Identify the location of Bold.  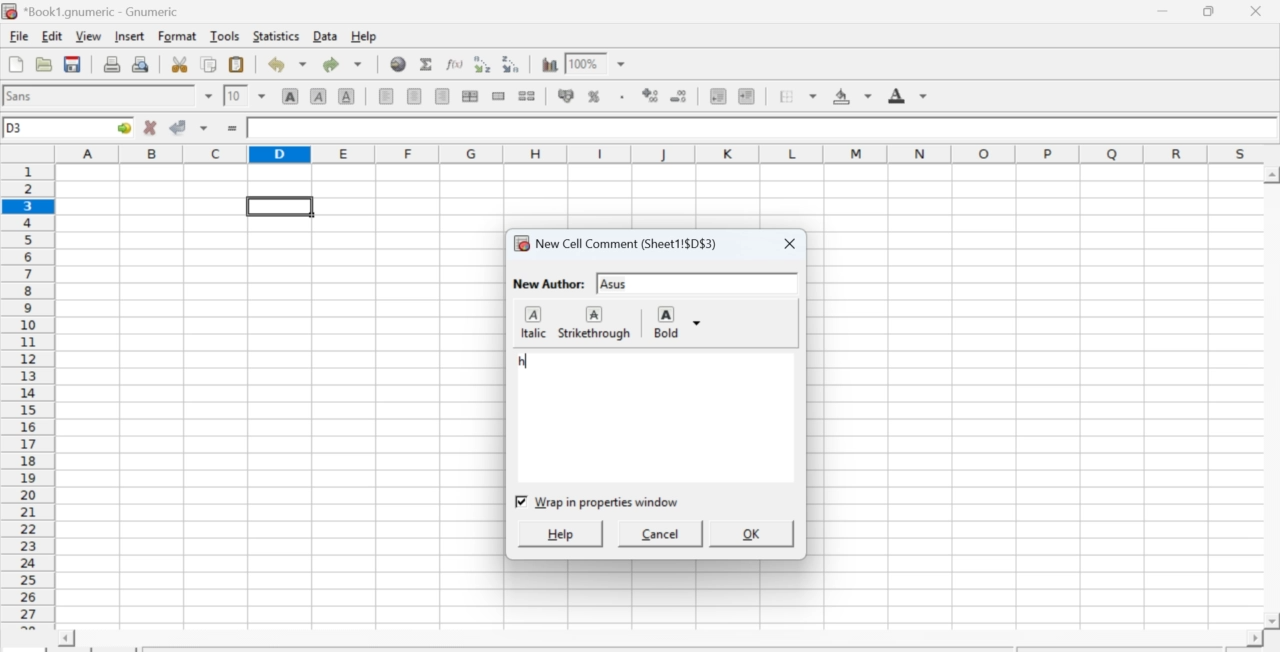
(287, 96).